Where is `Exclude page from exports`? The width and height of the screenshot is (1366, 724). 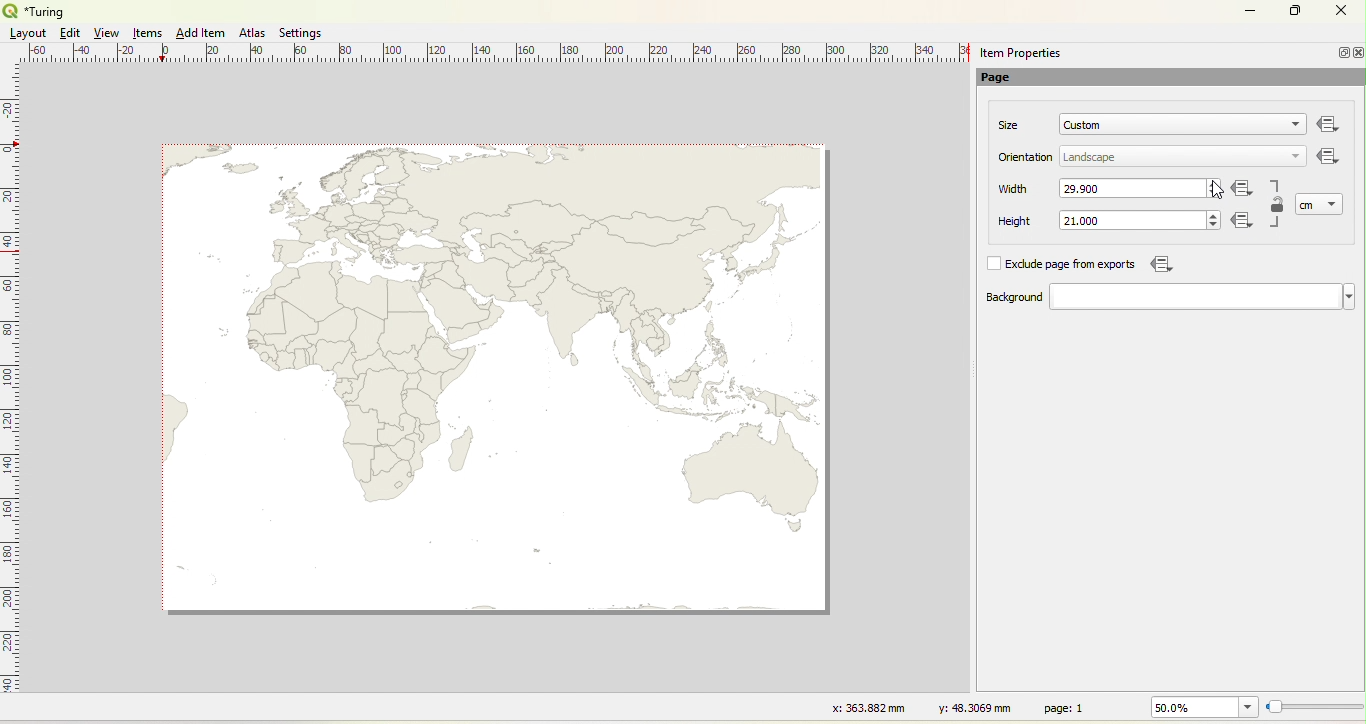 Exclude page from exports is located at coordinates (1074, 265).